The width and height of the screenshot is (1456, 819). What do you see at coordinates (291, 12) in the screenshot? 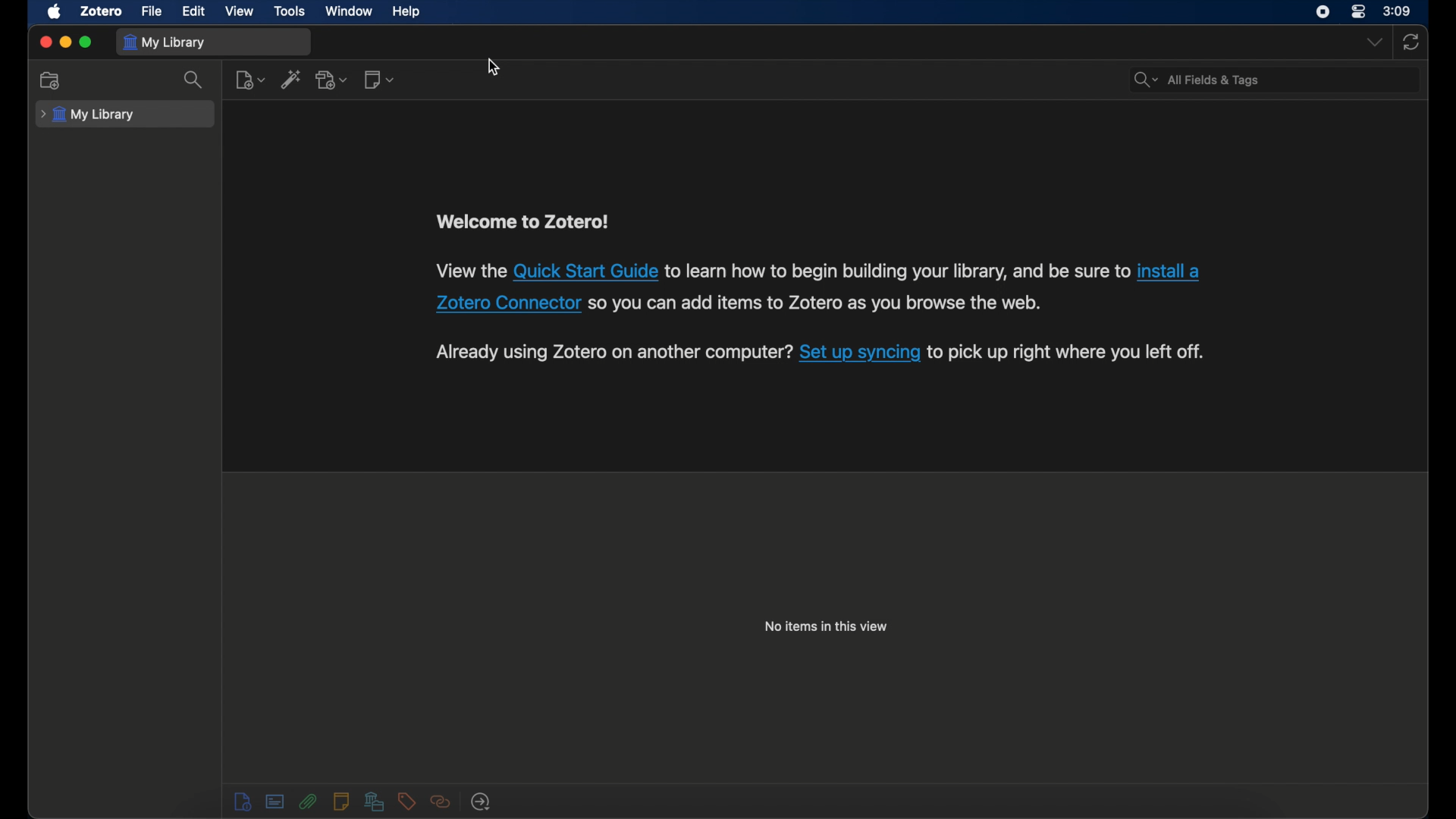
I see `tools` at bounding box center [291, 12].